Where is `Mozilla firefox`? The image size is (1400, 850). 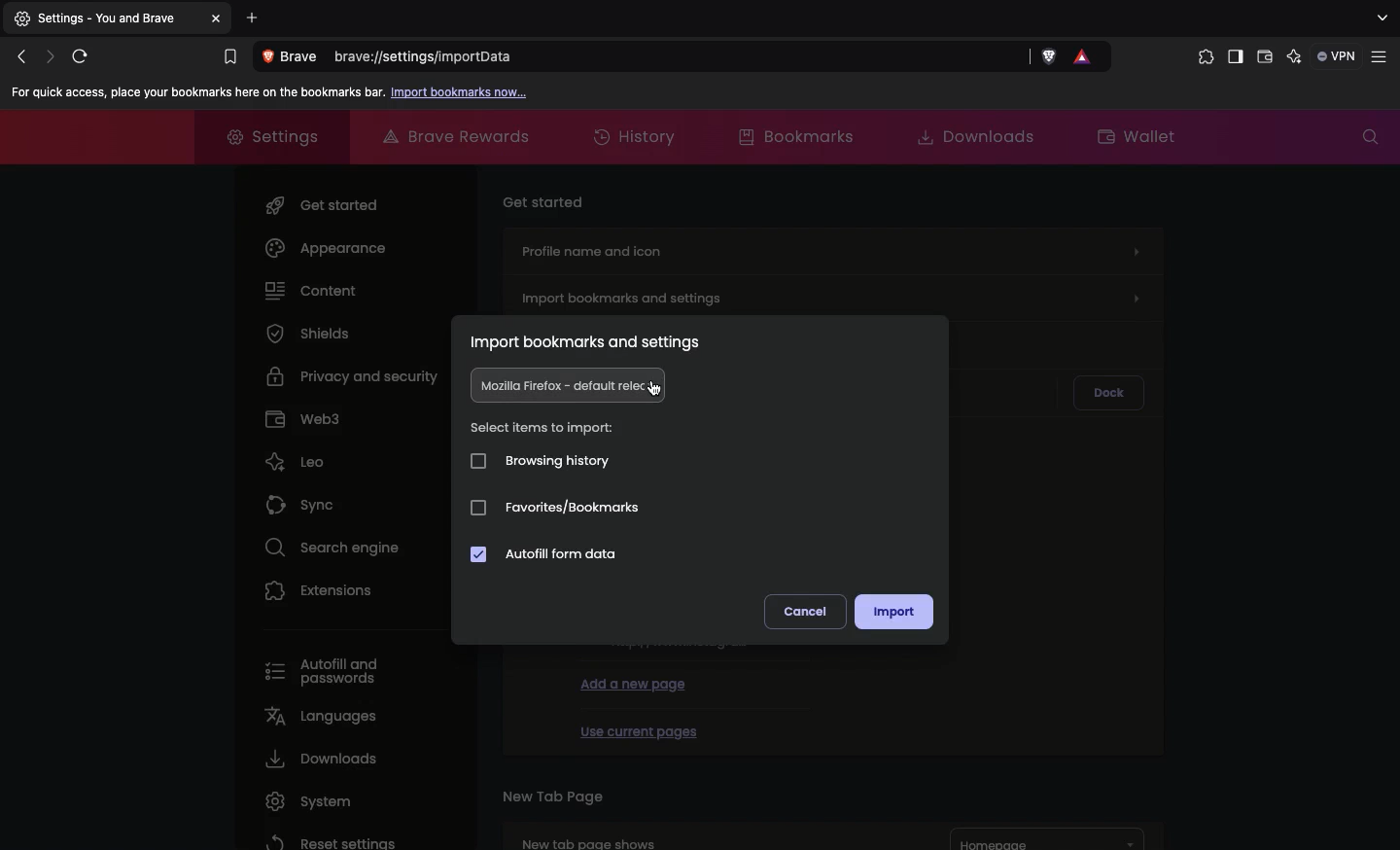 Mozilla firefox is located at coordinates (568, 385).